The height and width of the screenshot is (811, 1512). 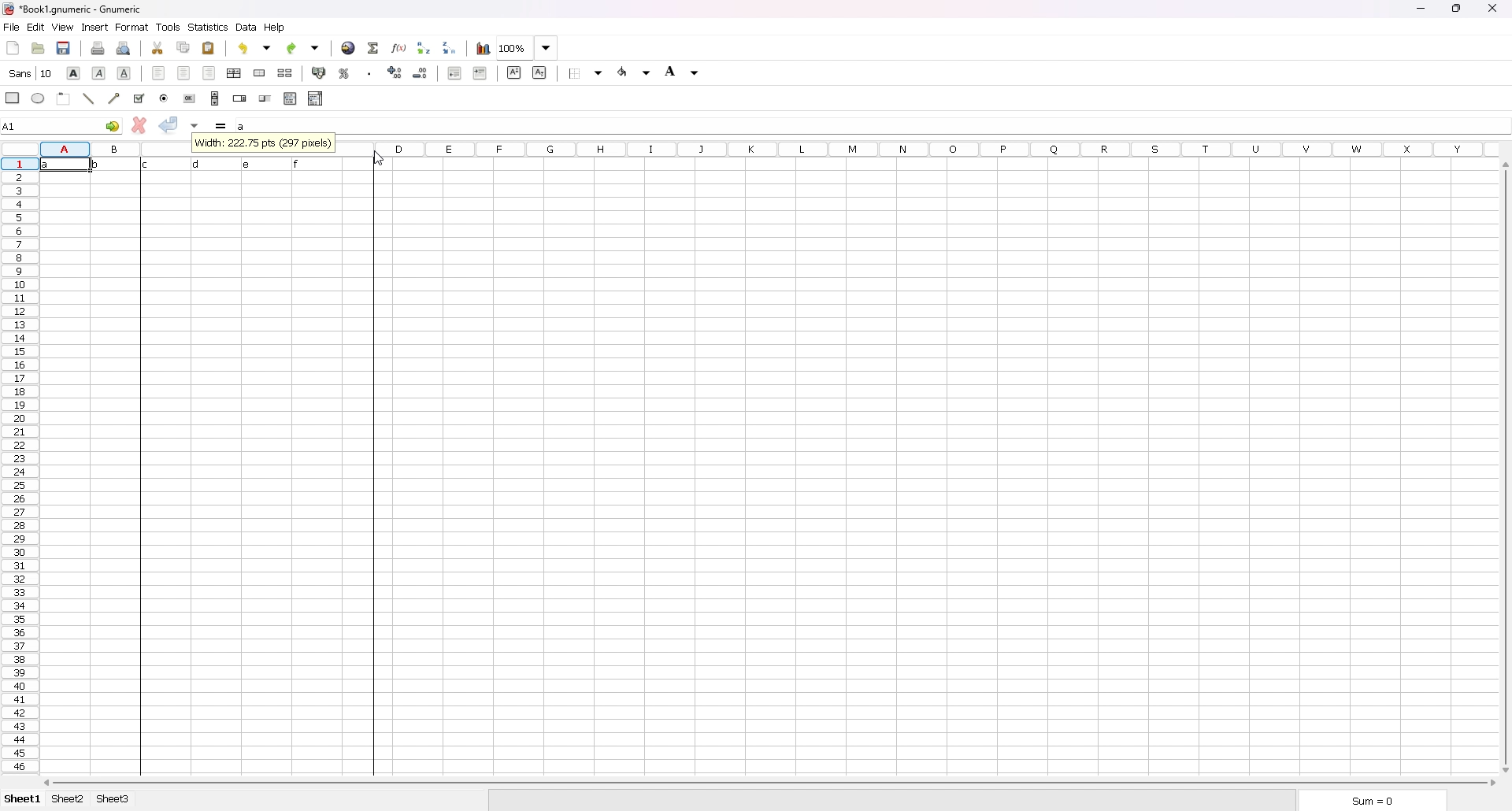 I want to click on radio button, so click(x=165, y=98).